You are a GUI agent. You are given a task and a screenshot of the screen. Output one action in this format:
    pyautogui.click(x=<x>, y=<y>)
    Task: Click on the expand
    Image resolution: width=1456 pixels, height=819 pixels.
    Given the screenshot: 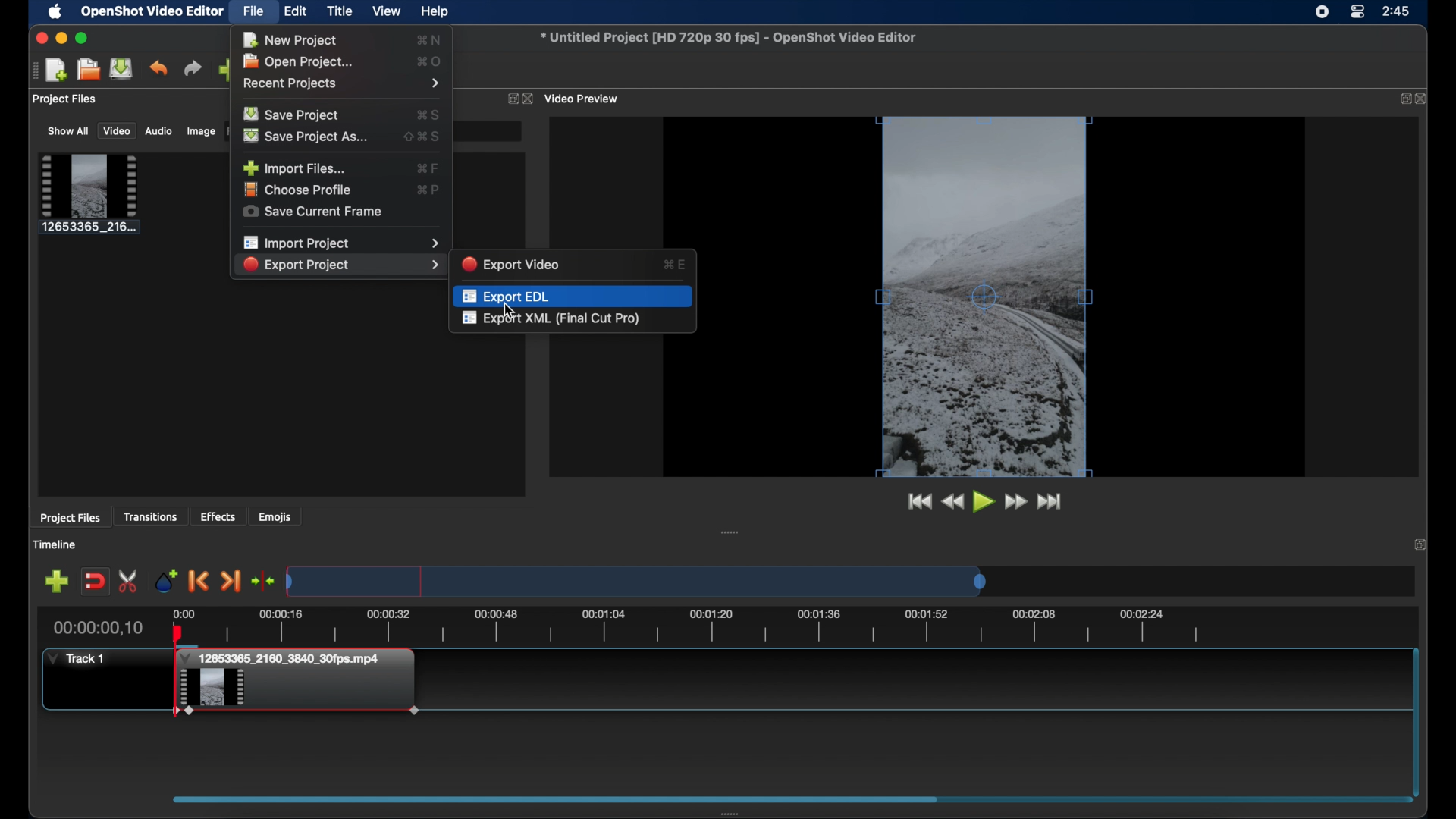 What is the action you would take?
    pyautogui.click(x=1401, y=99)
    